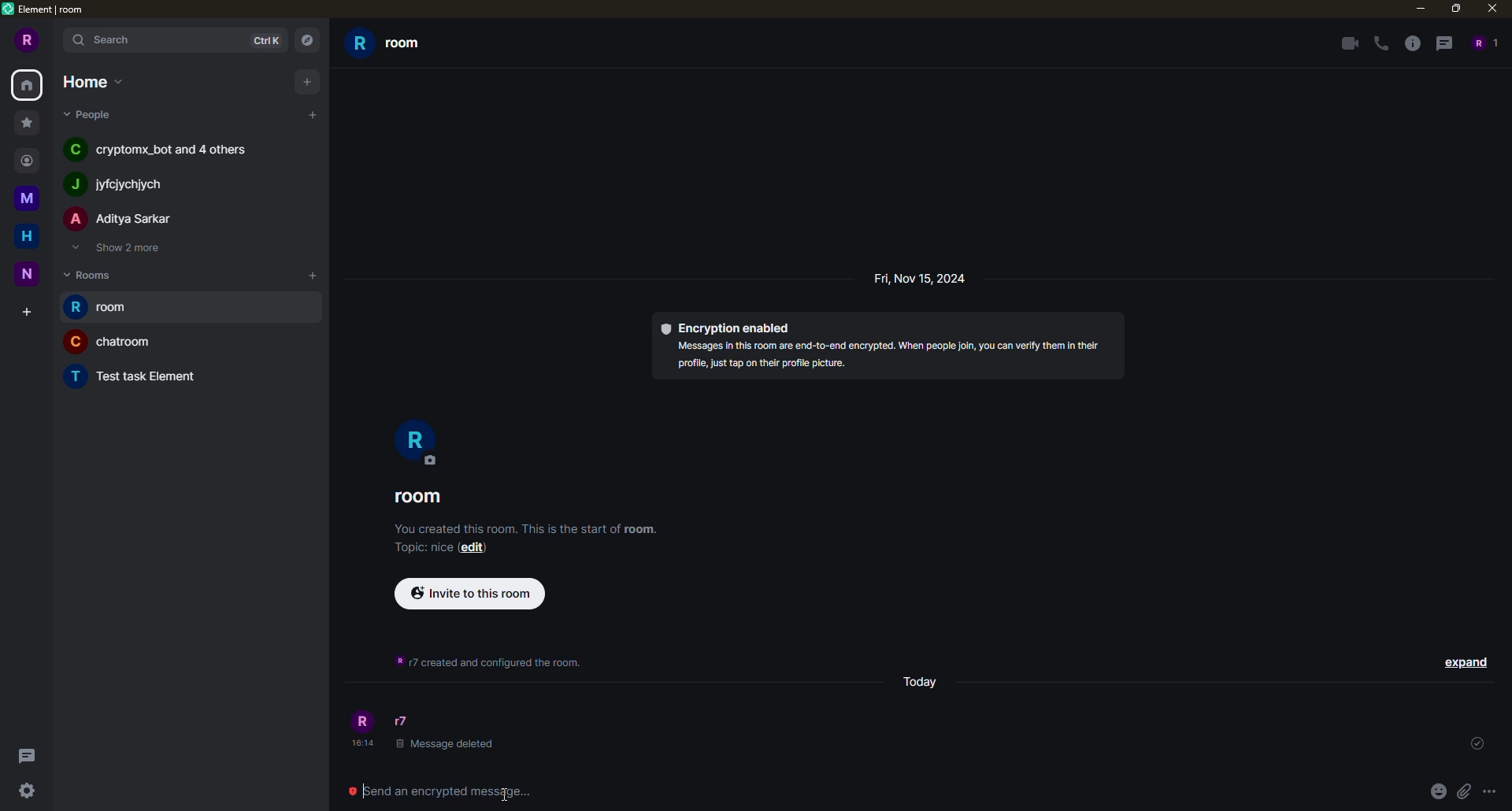  I want to click on encryption enabled, so click(729, 325).